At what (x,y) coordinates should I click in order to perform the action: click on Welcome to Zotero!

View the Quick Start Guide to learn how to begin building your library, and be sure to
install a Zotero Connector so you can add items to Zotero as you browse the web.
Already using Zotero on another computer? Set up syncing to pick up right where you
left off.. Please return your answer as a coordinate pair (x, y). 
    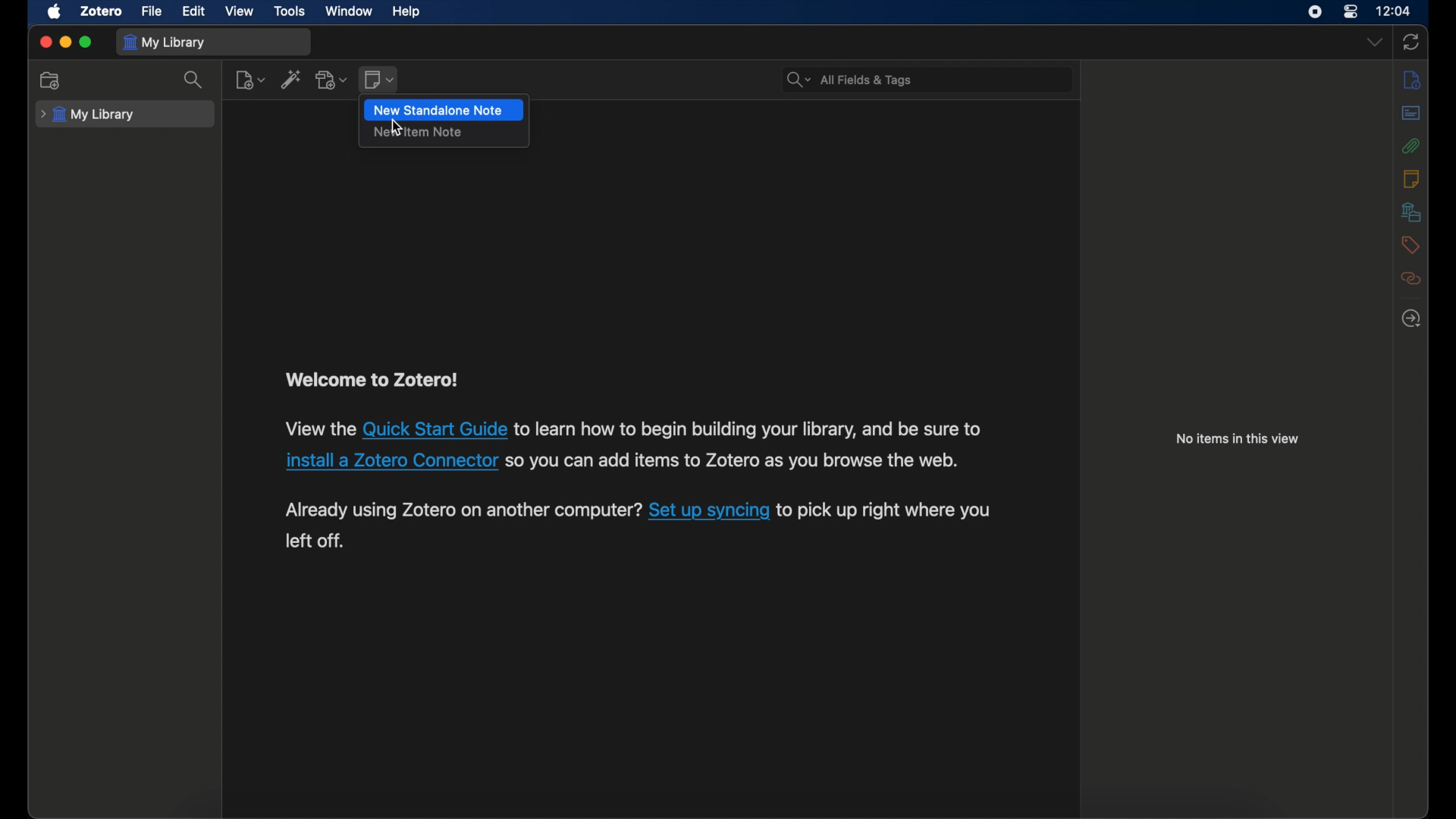
    Looking at the image, I should click on (640, 464).